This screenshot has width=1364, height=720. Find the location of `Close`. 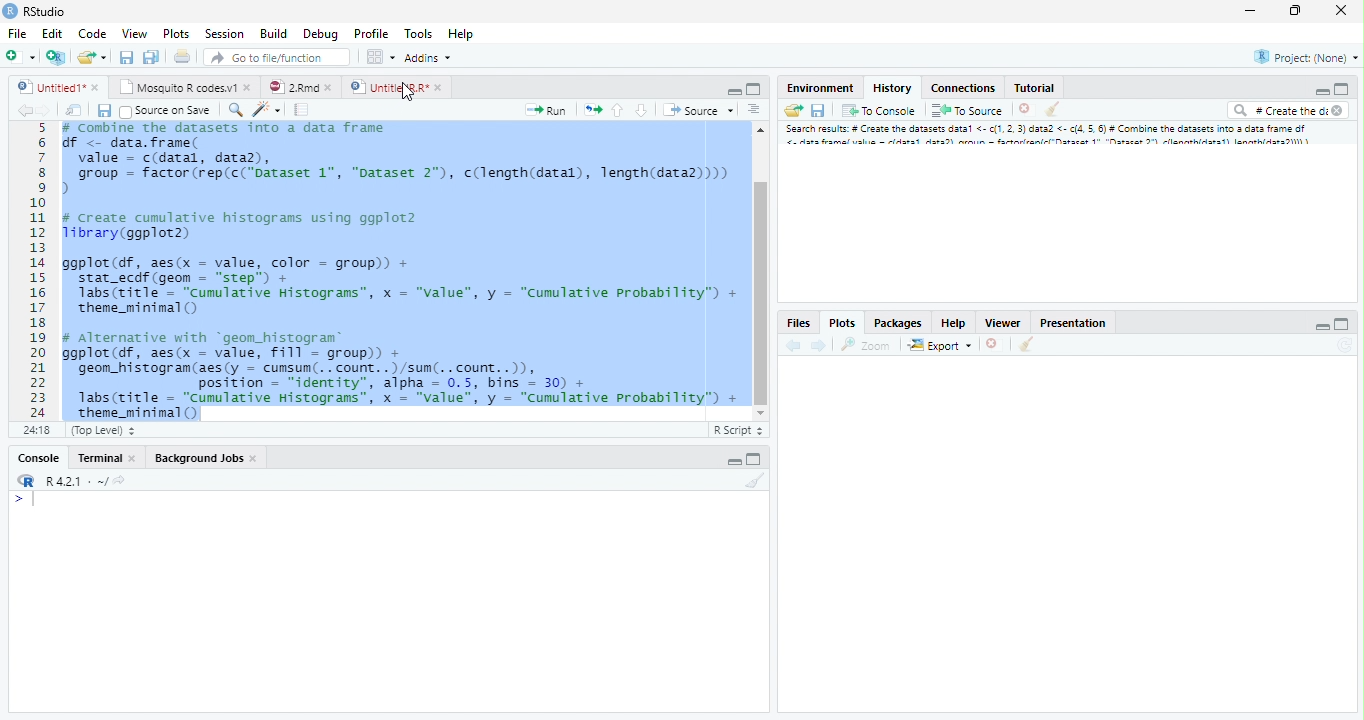

Close is located at coordinates (1339, 10).